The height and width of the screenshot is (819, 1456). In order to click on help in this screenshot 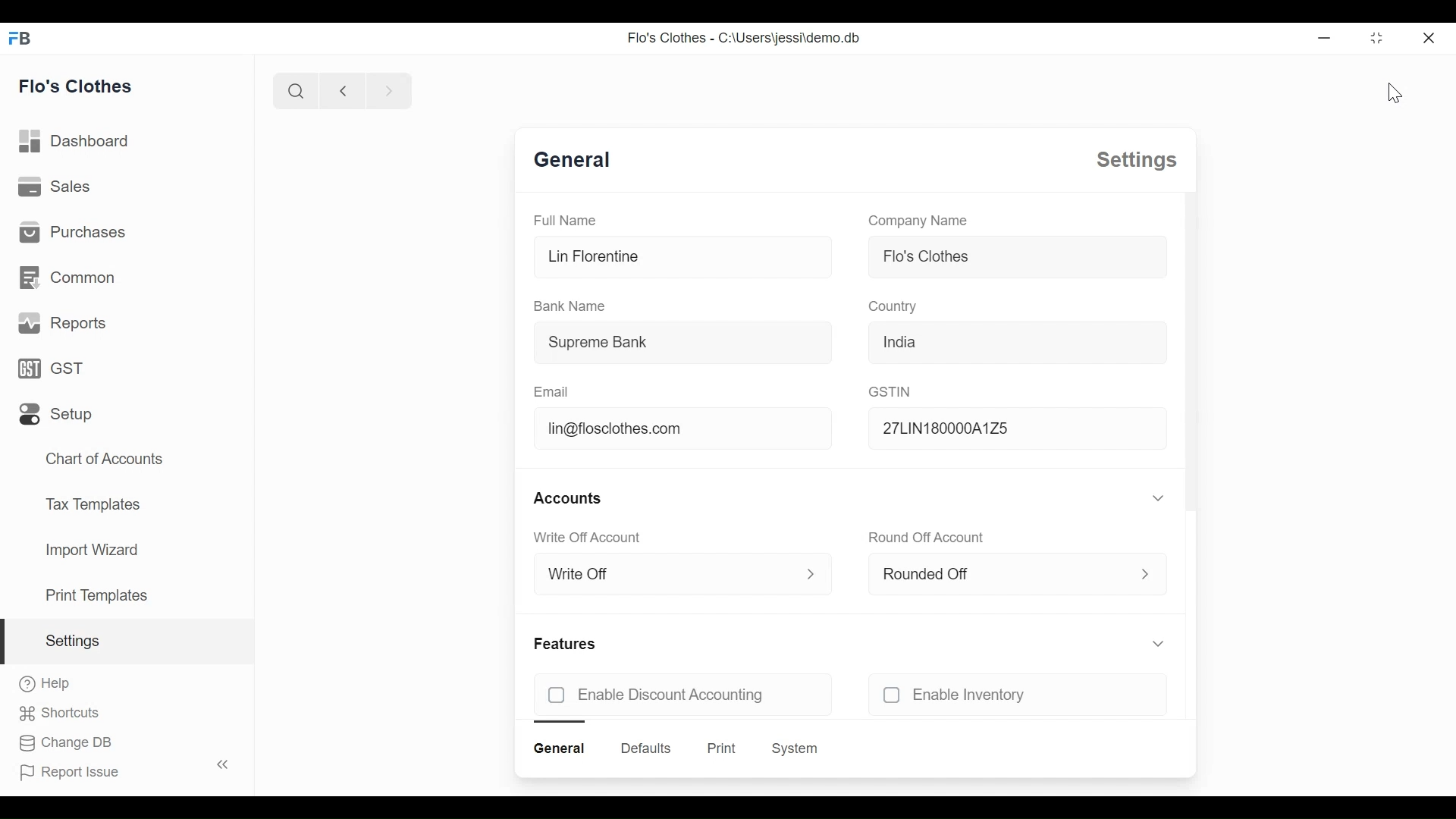, I will do `click(45, 683)`.